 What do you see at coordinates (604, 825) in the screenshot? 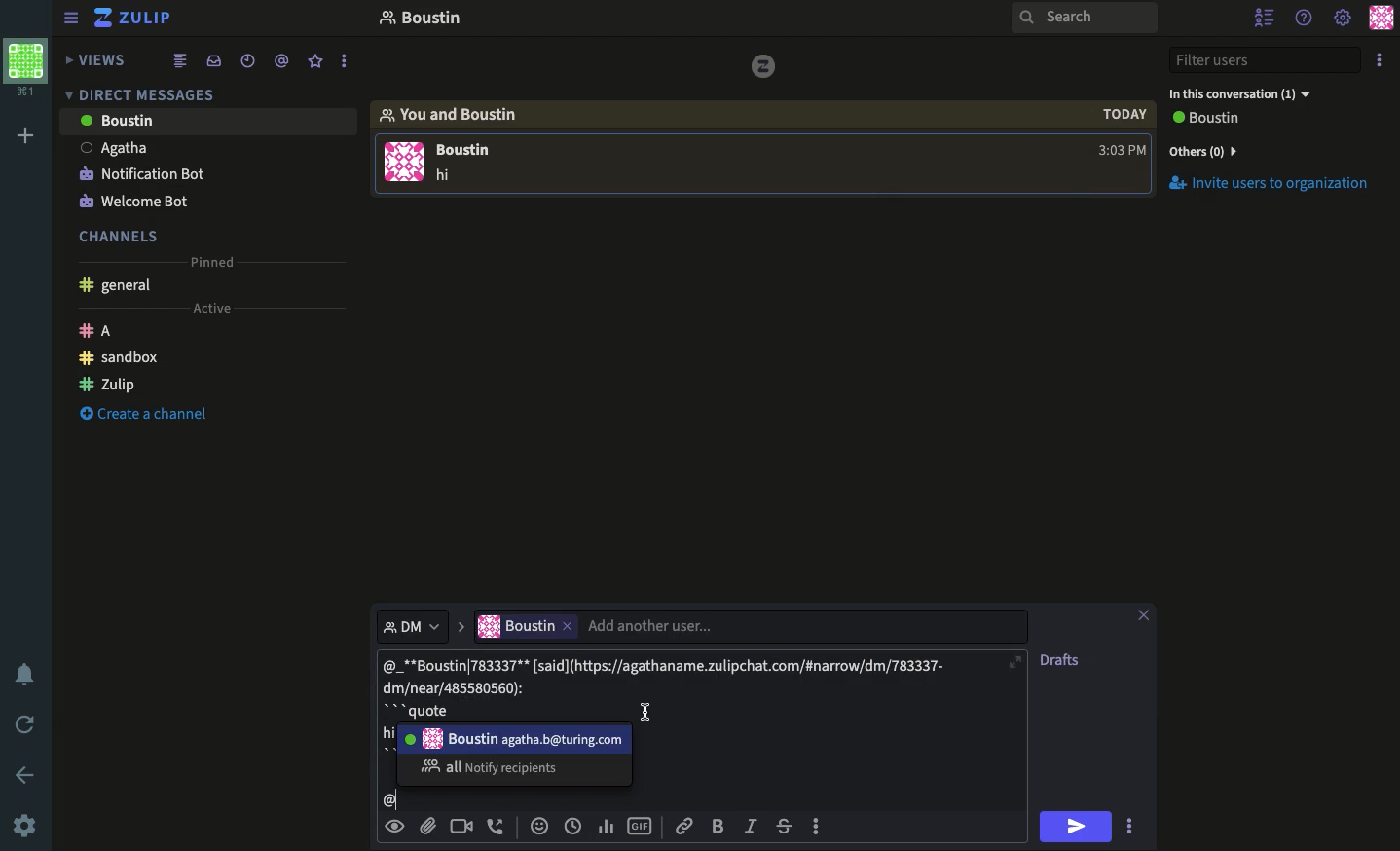
I see `Chart` at bounding box center [604, 825].